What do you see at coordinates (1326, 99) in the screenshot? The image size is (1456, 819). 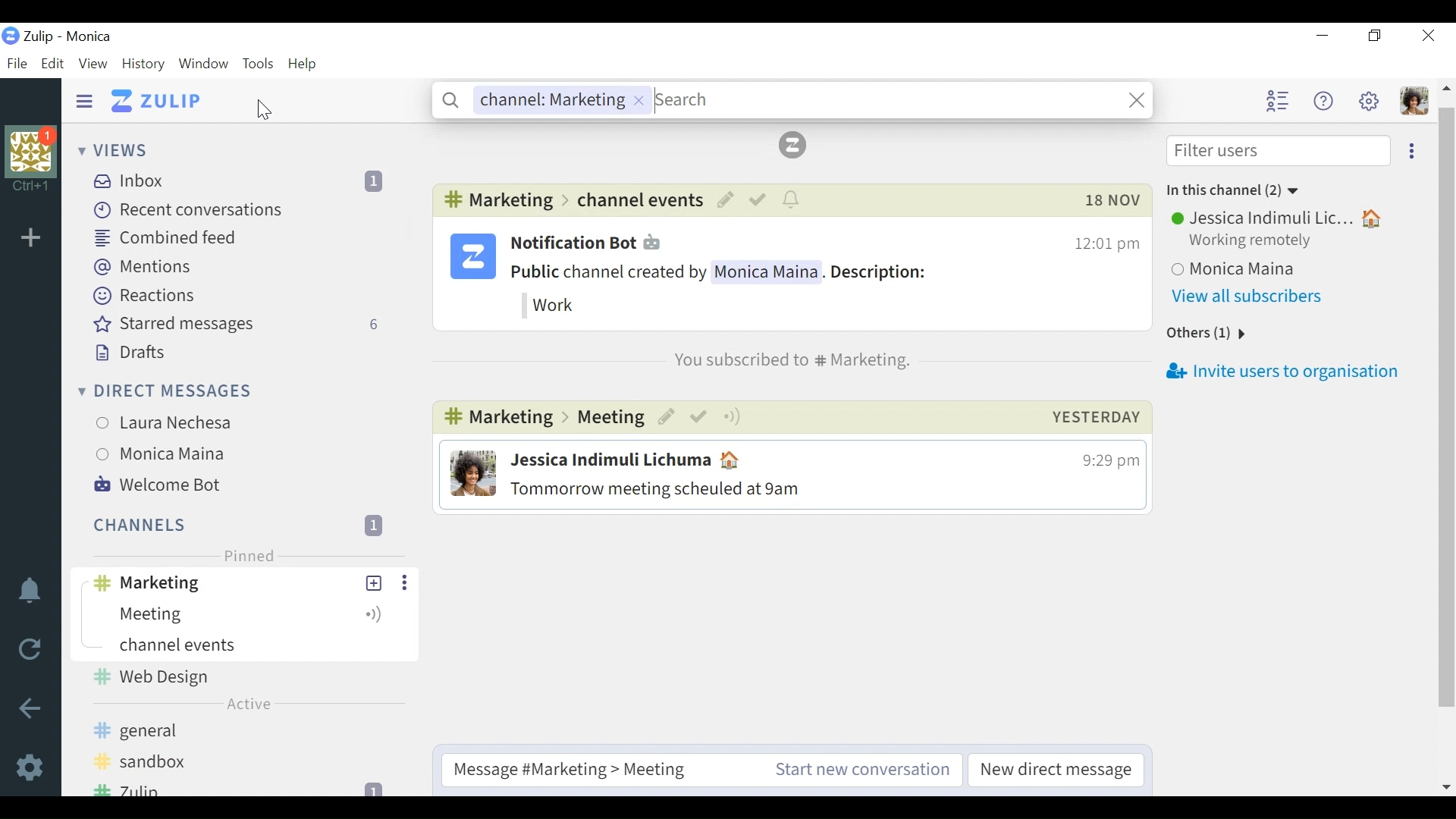 I see `Help` at bounding box center [1326, 99].